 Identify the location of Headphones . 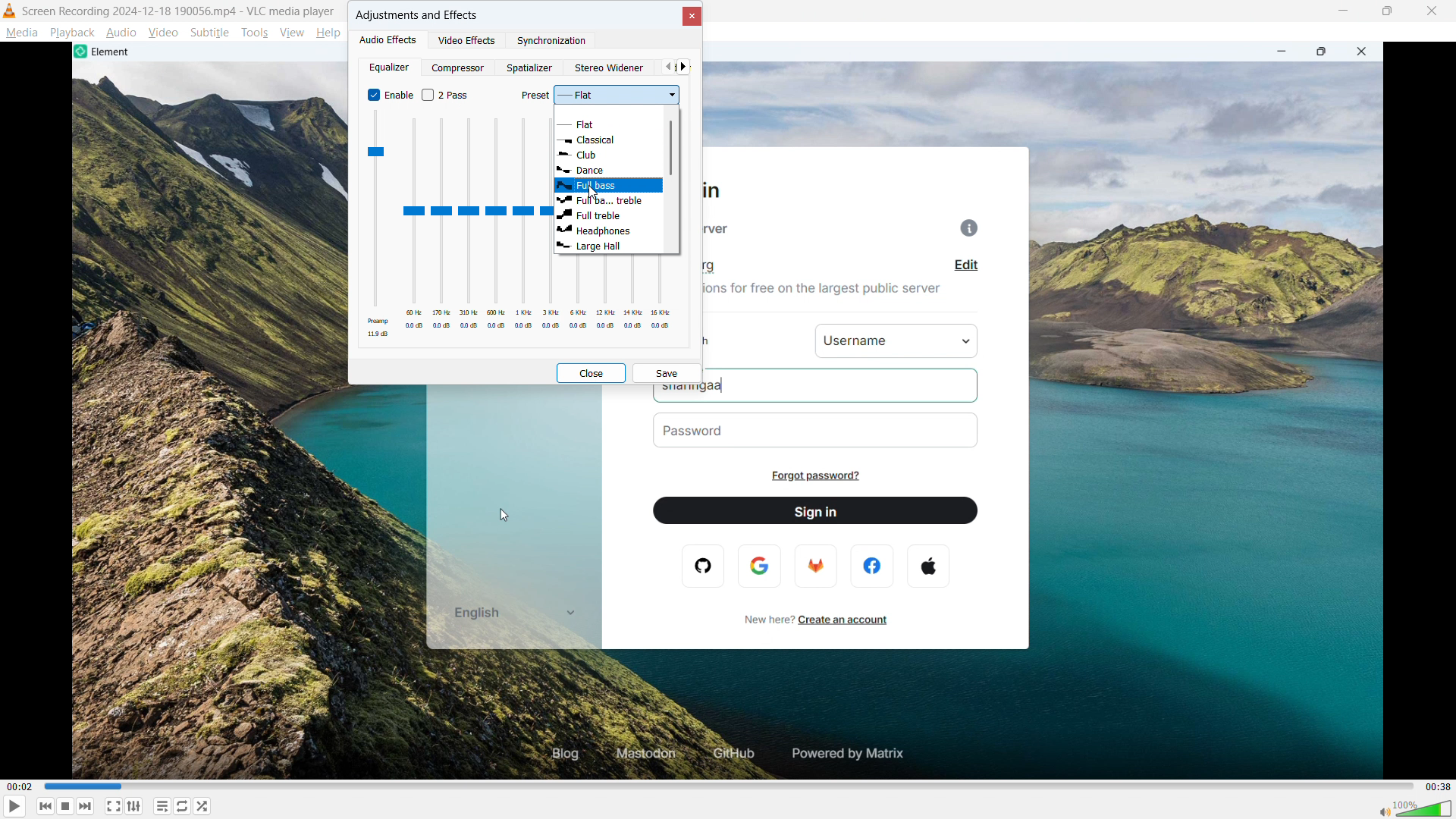
(610, 230).